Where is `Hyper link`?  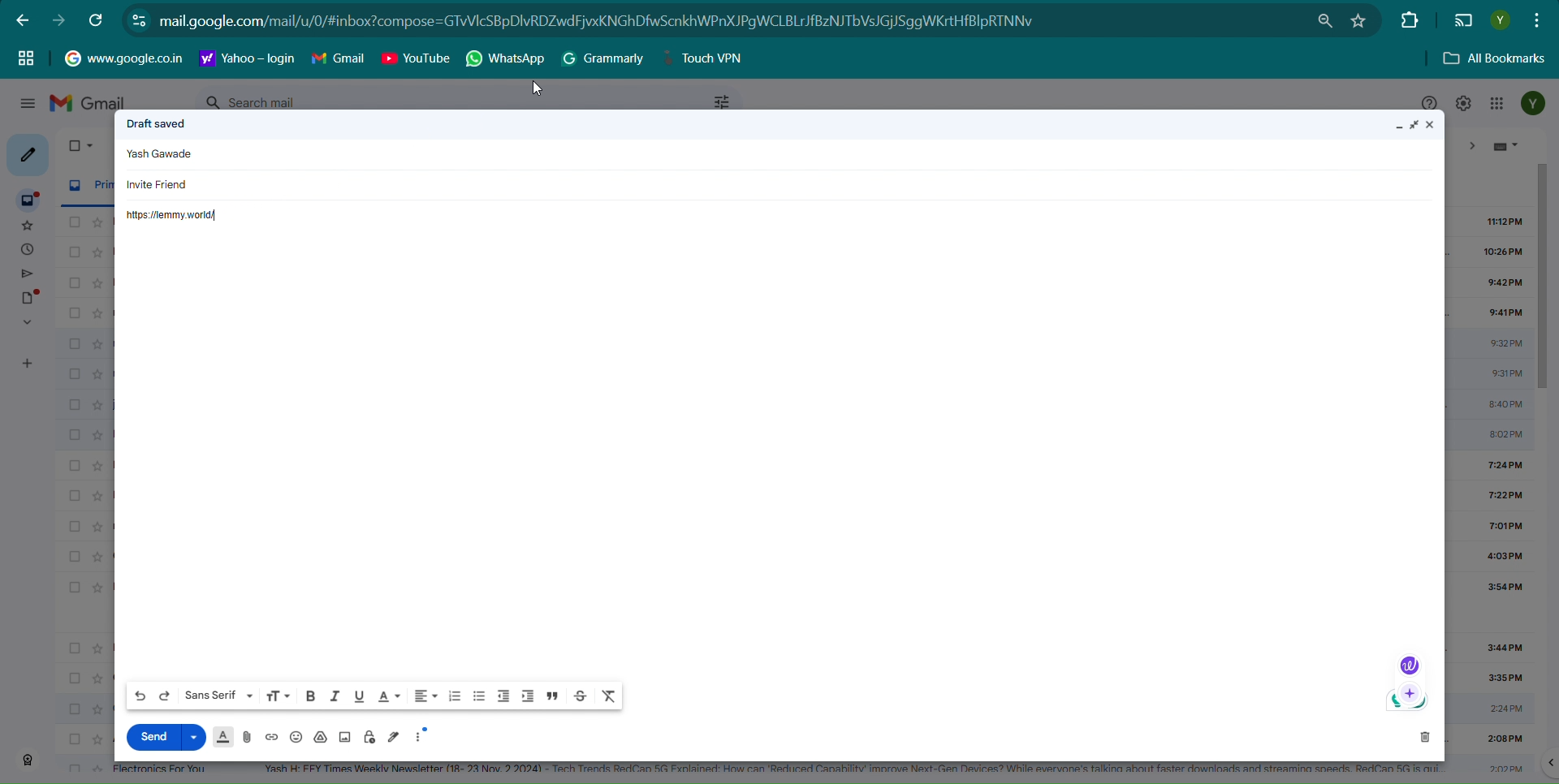
Hyper link is located at coordinates (620, 21).